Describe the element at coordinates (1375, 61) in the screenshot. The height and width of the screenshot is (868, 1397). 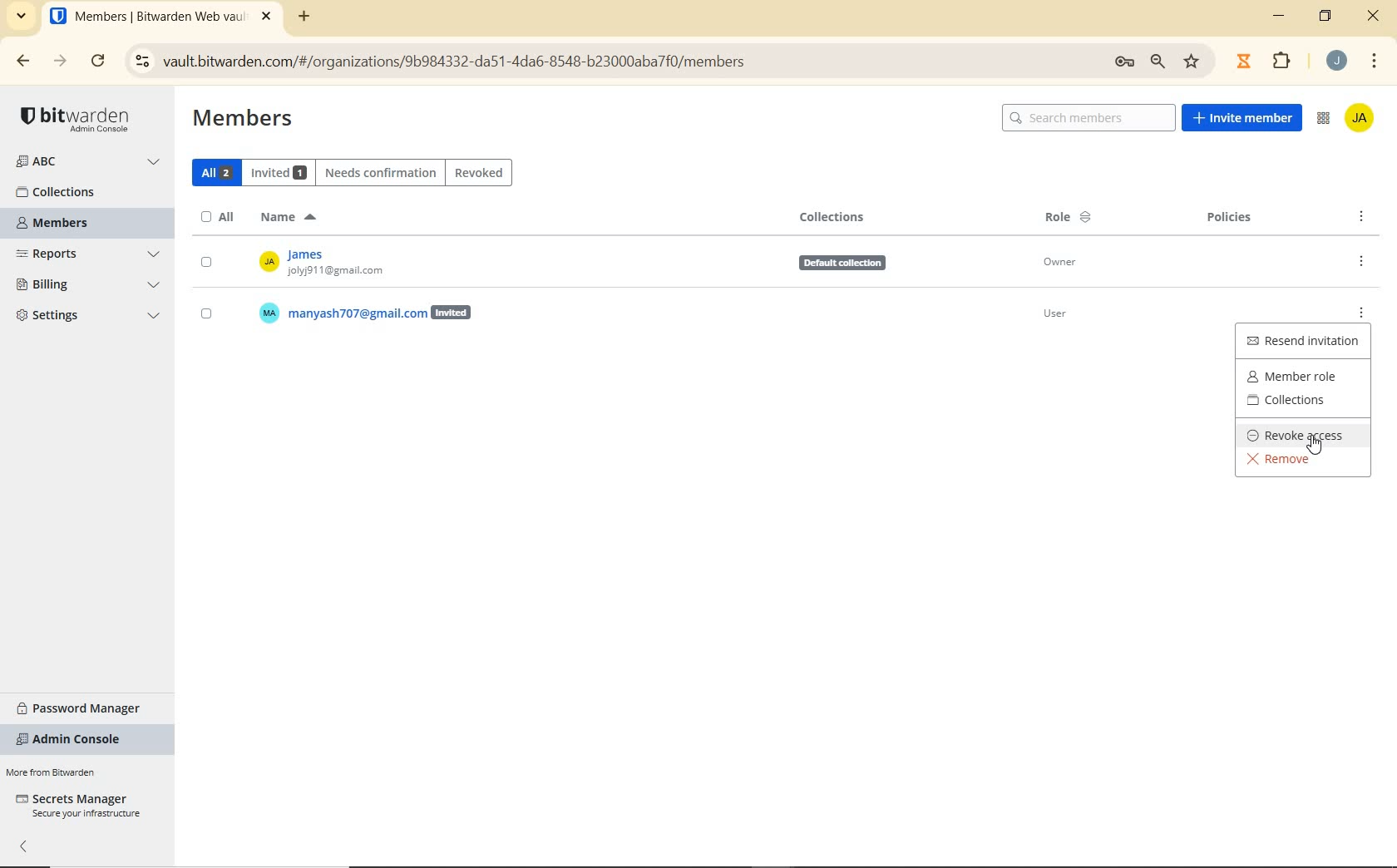
I see `CUSTOMIZE` at that location.